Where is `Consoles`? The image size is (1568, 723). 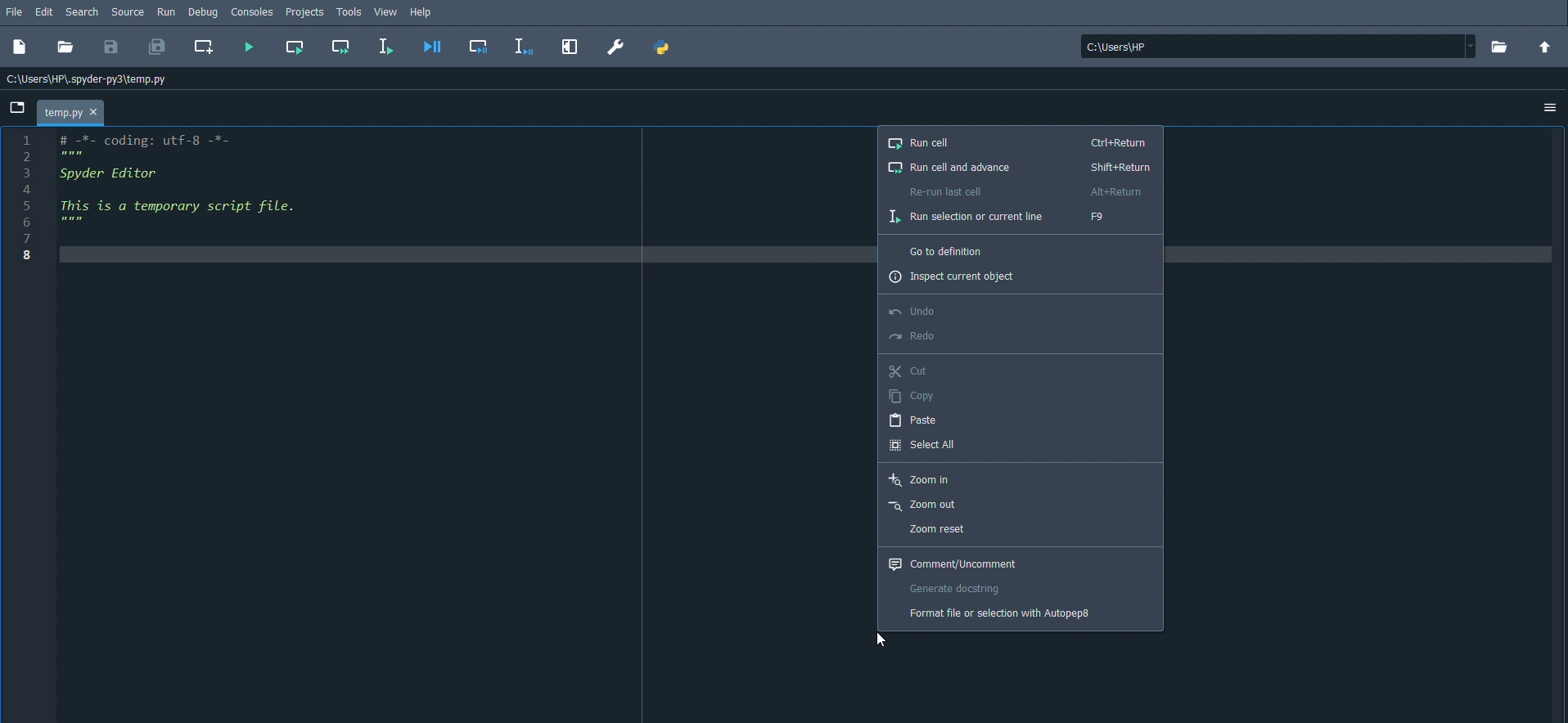
Consoles is located at coordinates (254, 11).